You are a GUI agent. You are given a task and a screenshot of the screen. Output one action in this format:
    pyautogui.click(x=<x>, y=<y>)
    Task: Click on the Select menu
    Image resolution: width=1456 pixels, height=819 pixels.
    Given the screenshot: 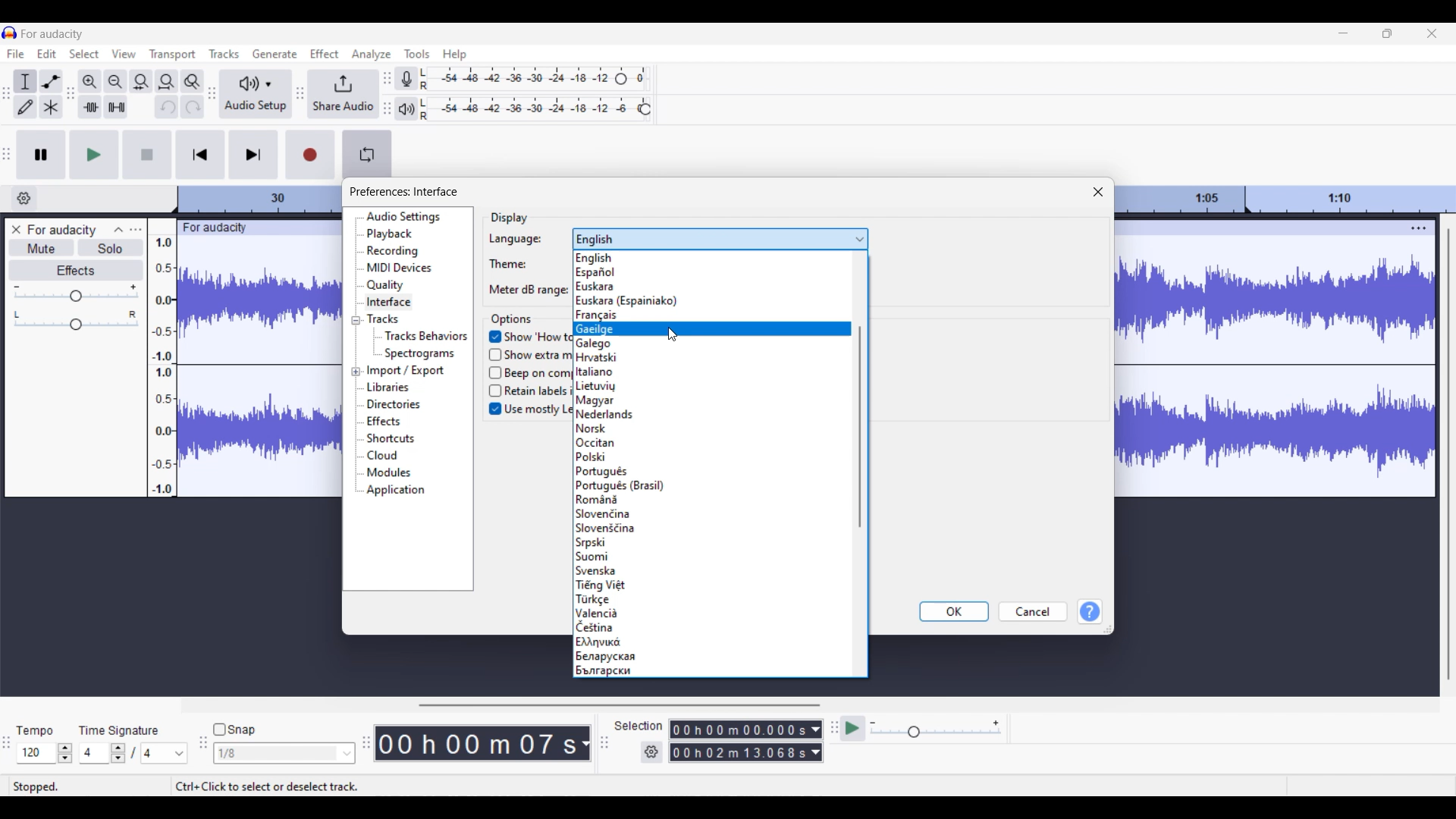 What is the action you would take?
    pyautogui.click(x=83, y=54)
    